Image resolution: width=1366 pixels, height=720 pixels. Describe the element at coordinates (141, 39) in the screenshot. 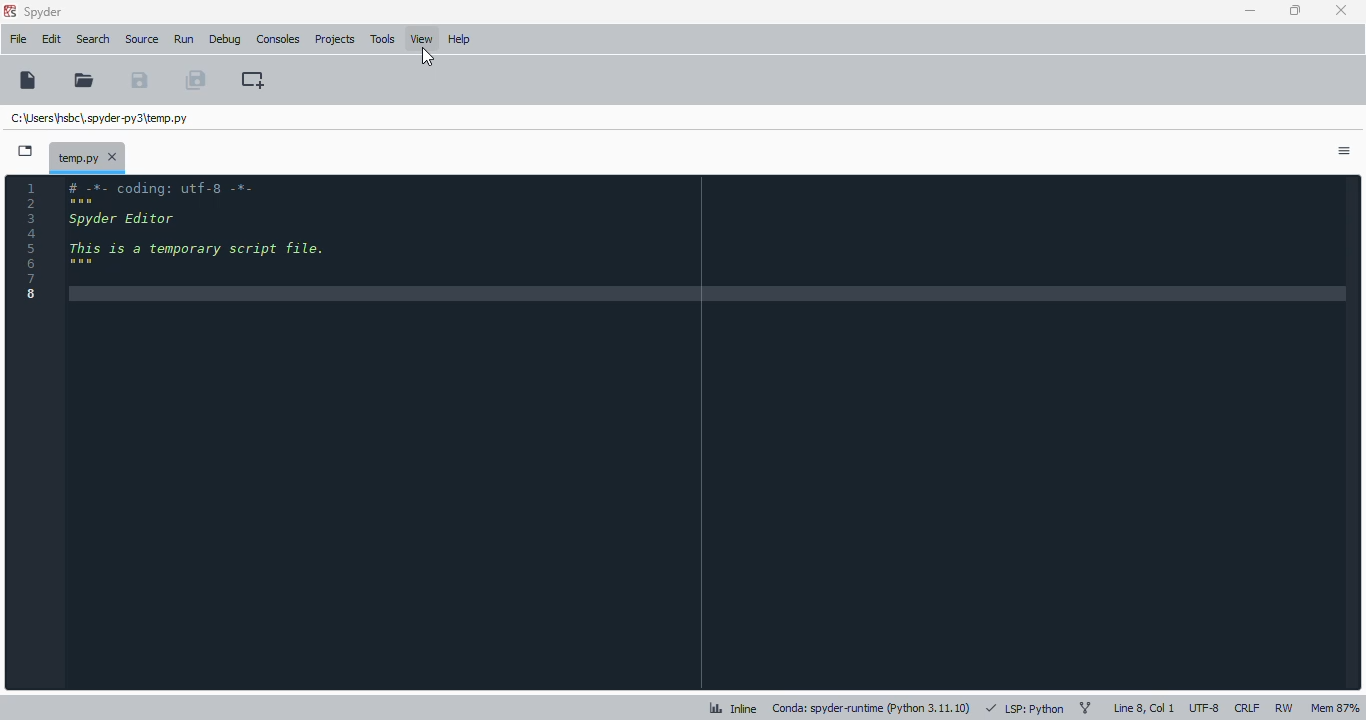

I see `source` at that location.